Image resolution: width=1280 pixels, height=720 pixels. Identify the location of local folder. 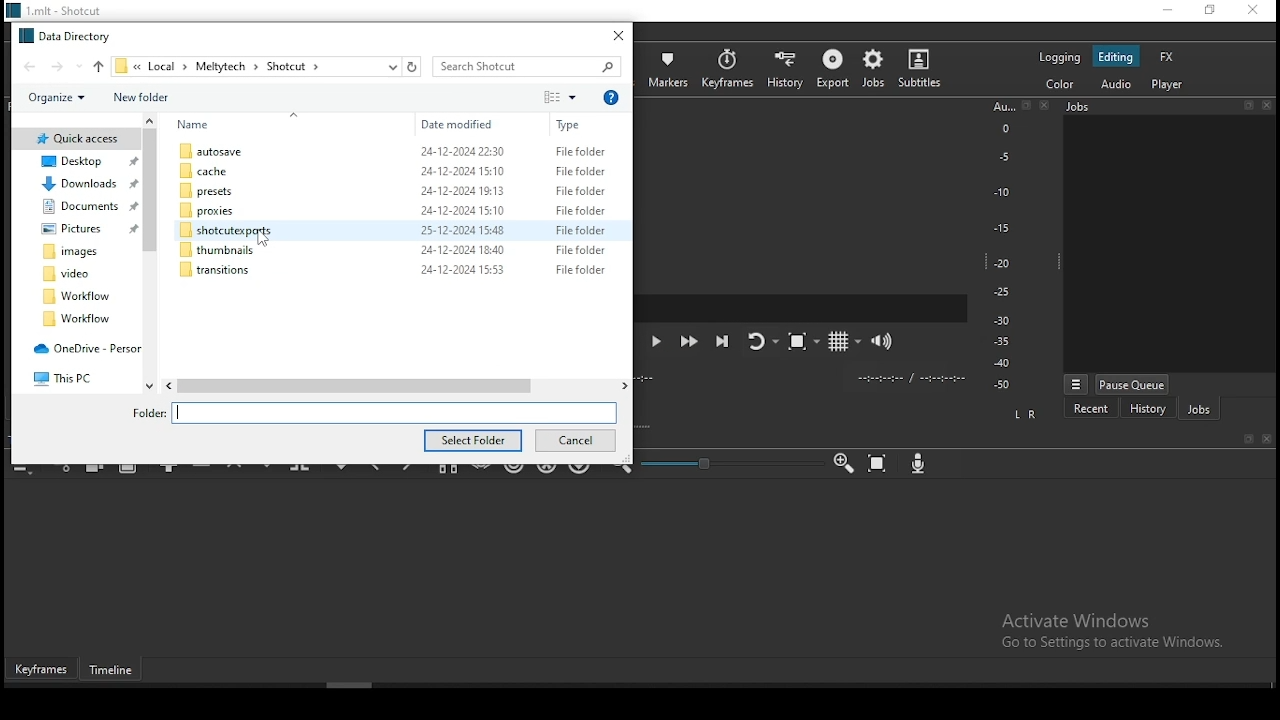
(219, 191).